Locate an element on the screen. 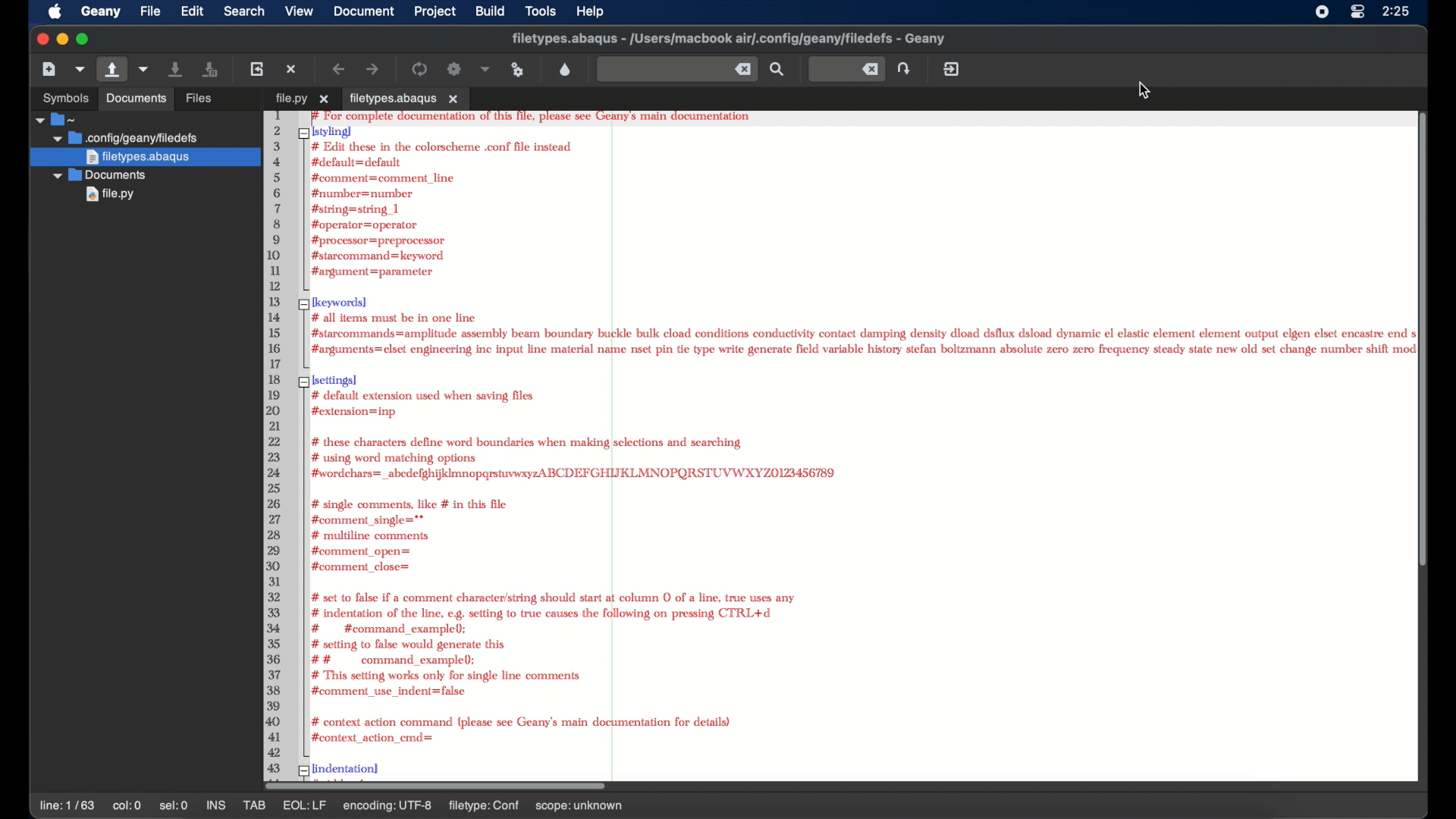 The width and height of the screenshot is (1456, 819). mod is located at coordinates (297, 805).